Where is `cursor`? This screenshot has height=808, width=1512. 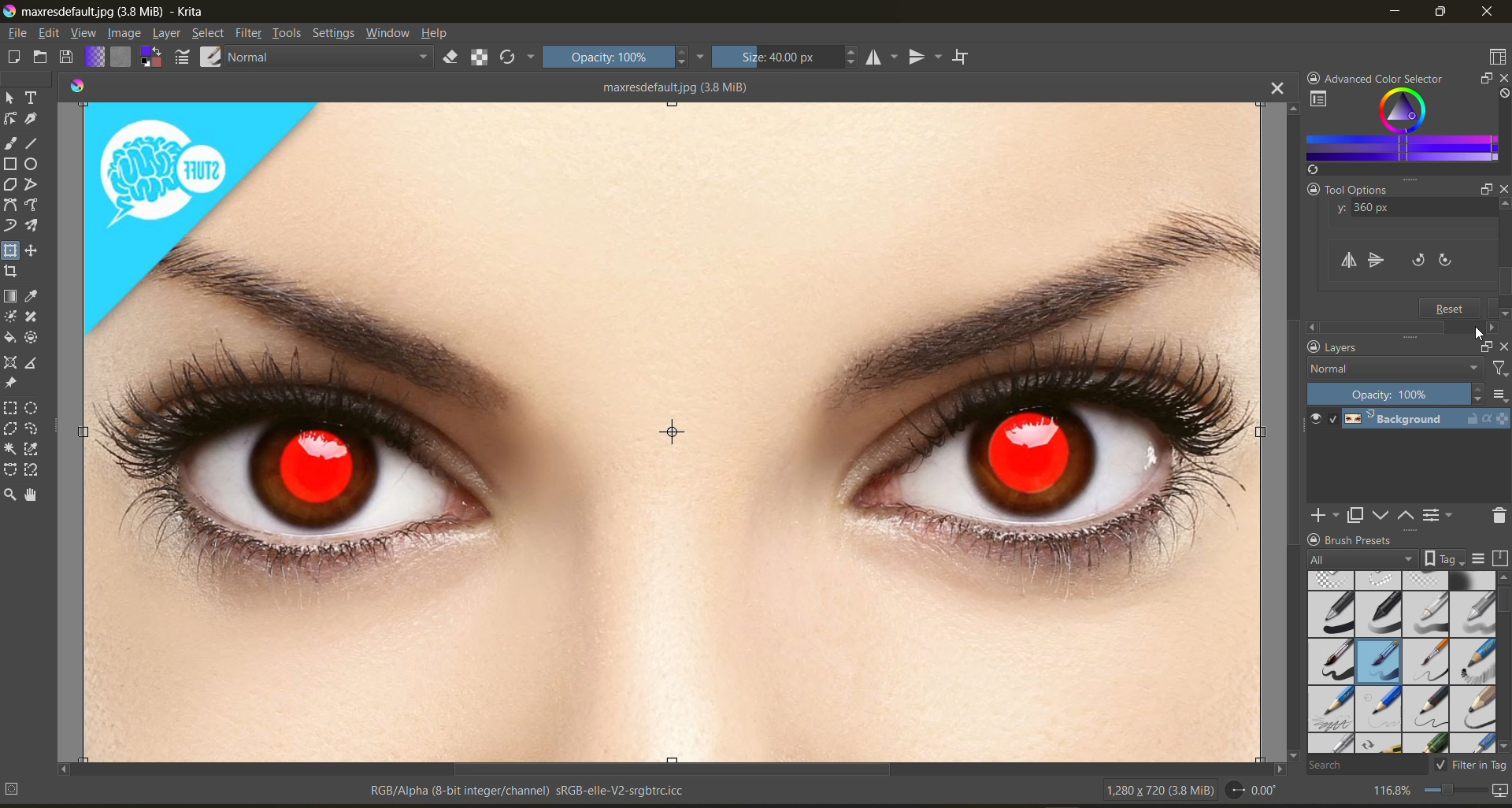 cursor is located at coordinates (1481, 334).